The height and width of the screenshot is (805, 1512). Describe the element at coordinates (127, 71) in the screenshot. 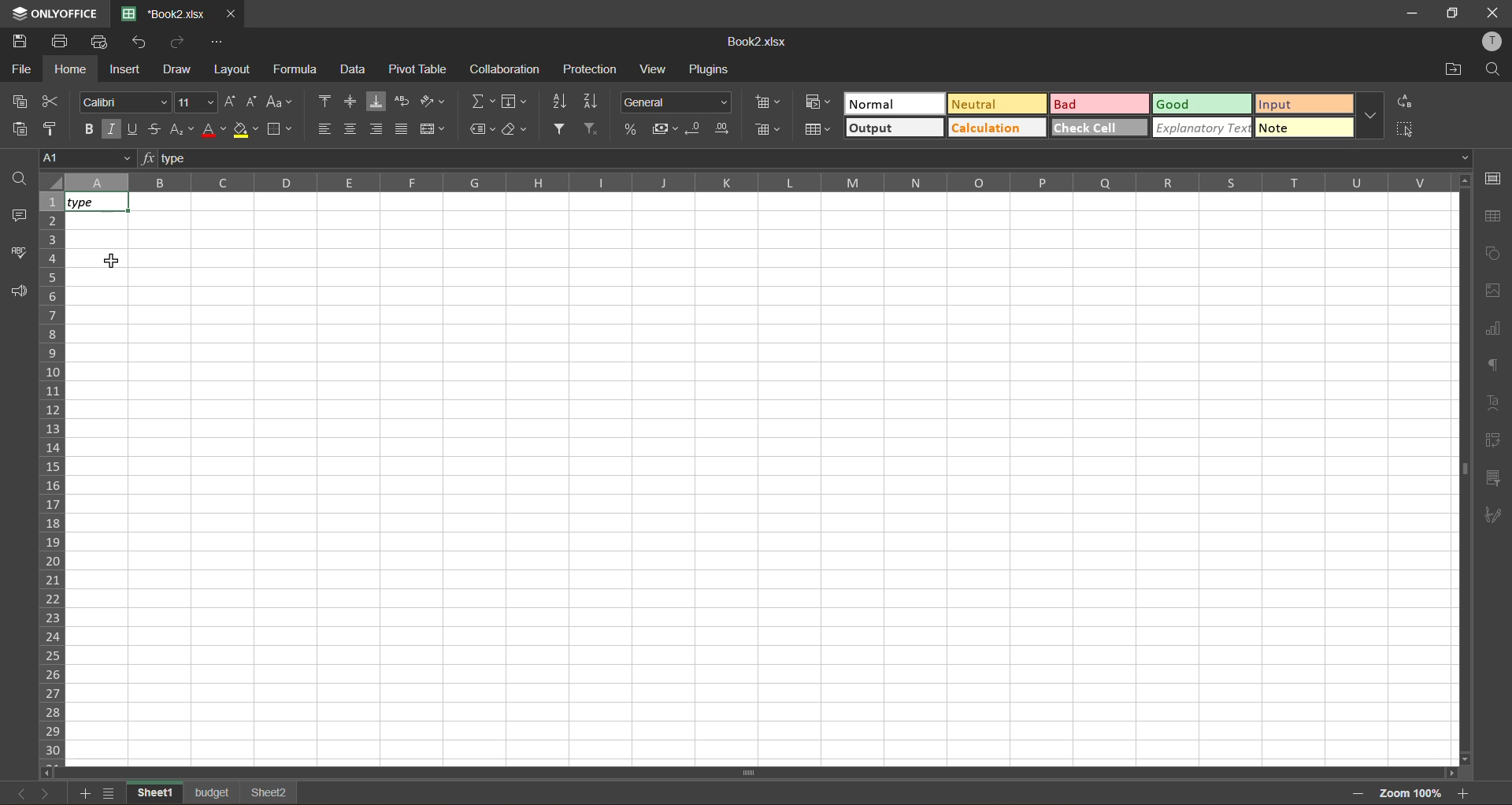

I see `insert` at that location.